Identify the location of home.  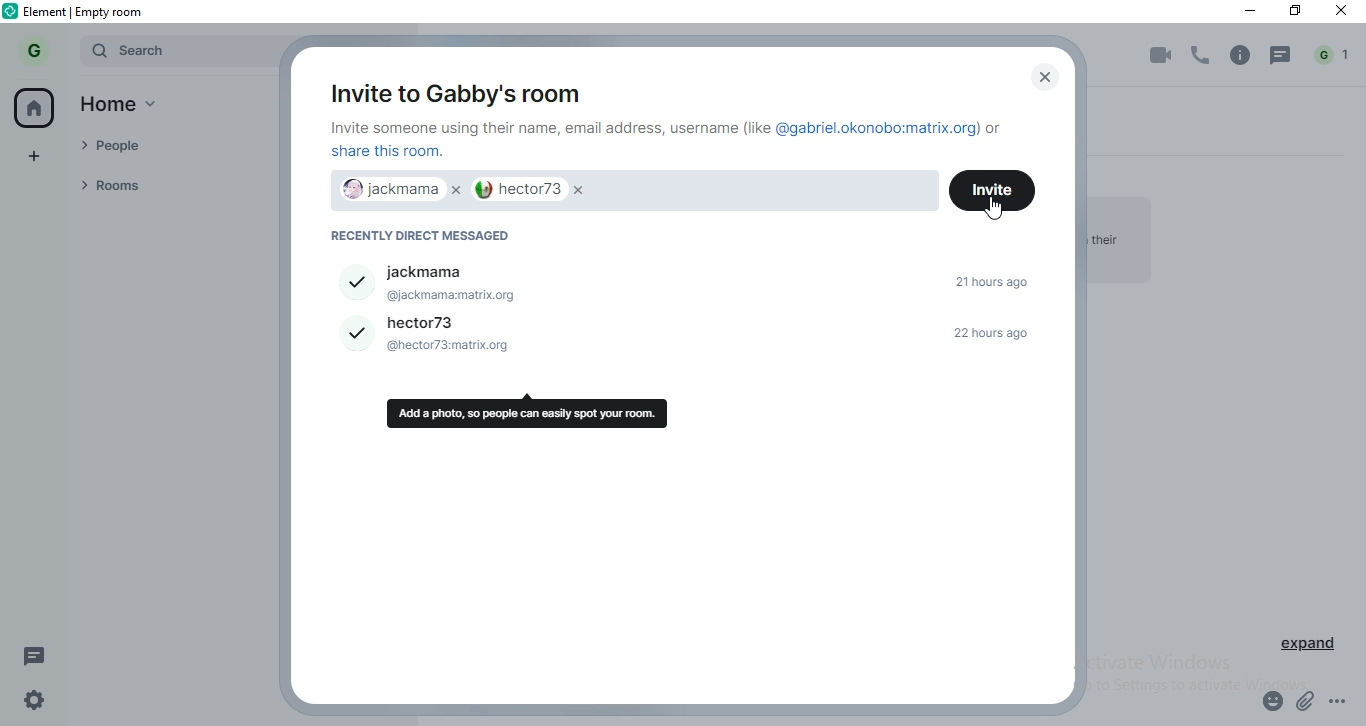
(37, 107).